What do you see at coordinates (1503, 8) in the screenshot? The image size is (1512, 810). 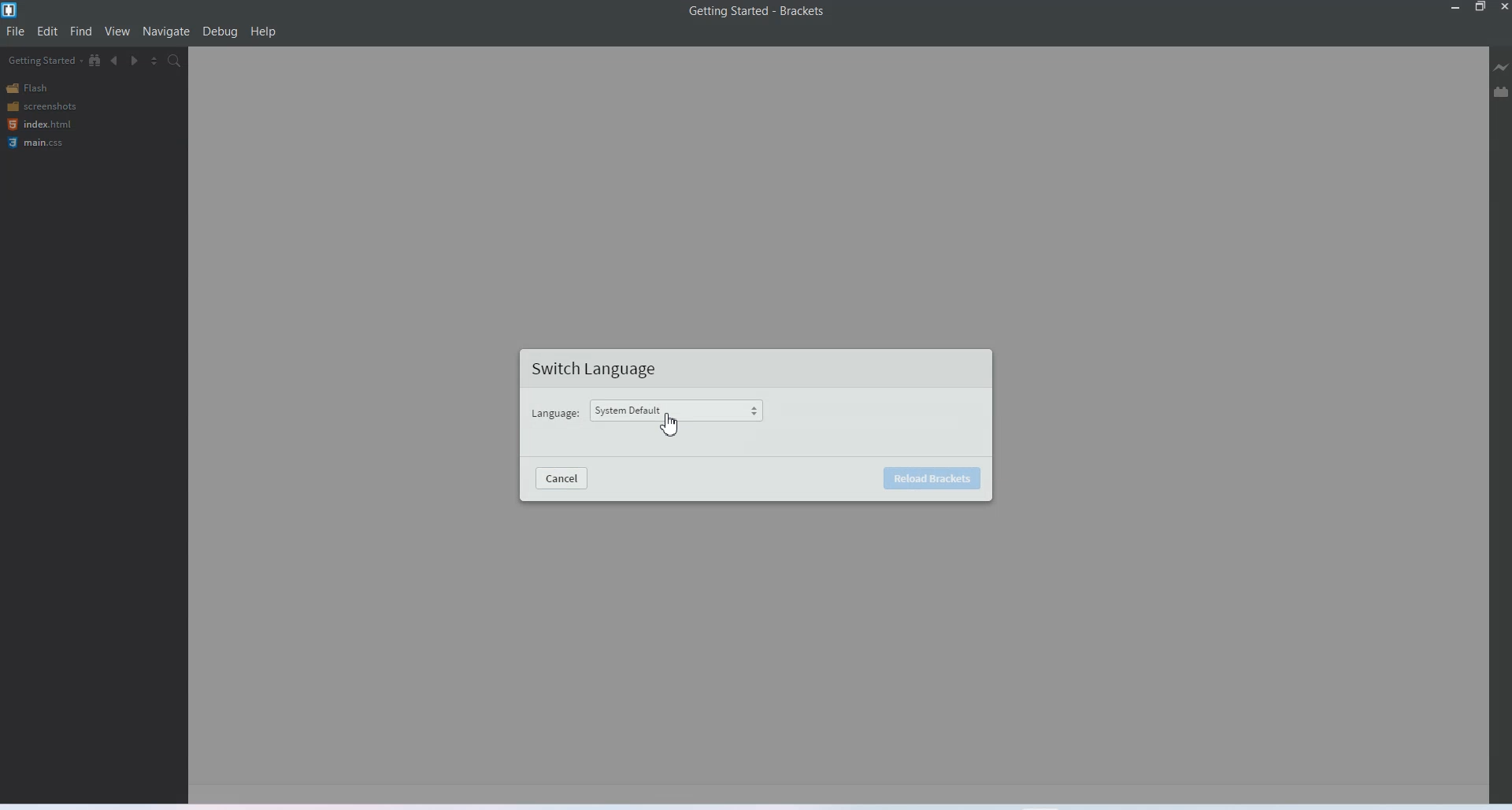 I see `Close` at bounding box center [1503, 8].